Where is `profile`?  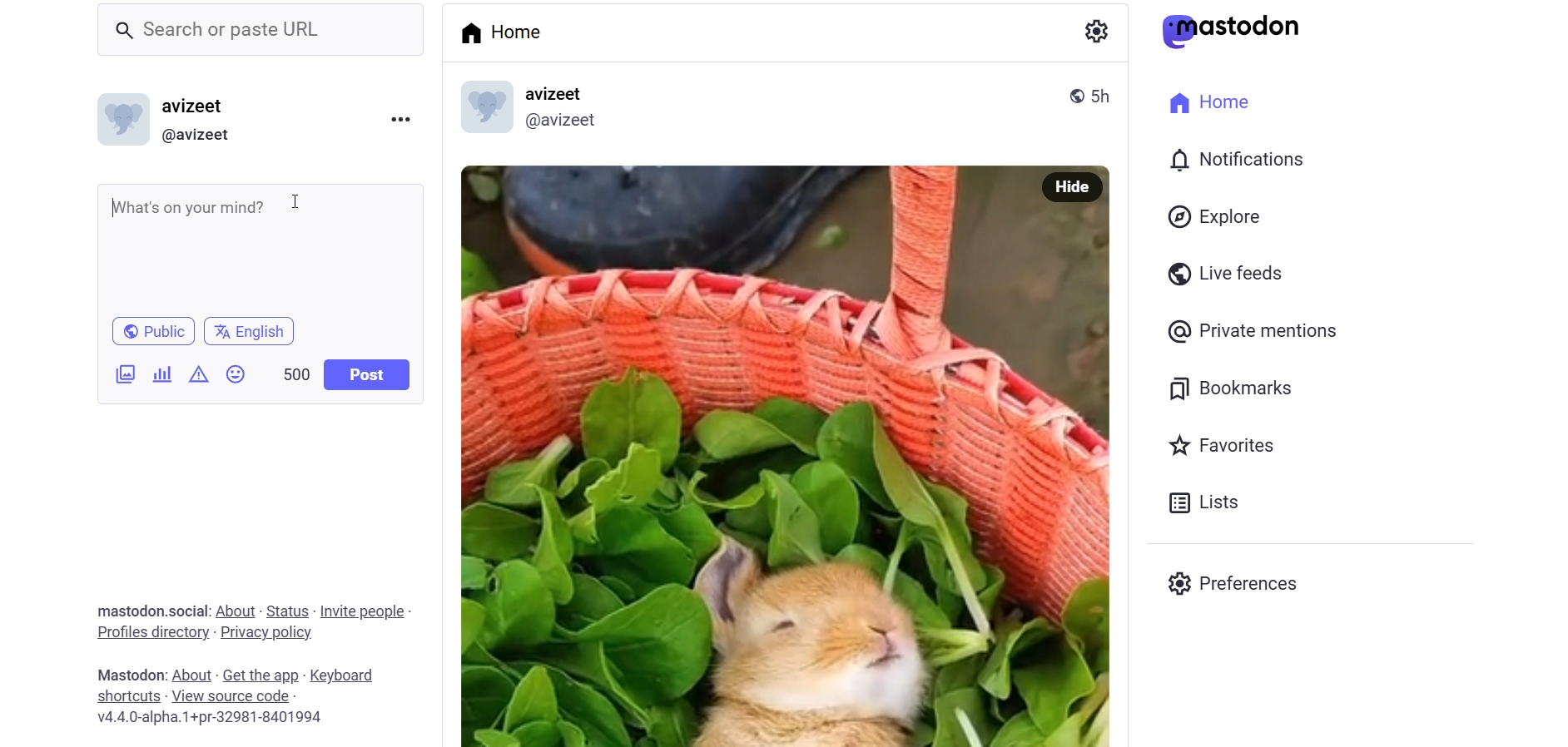
profile is located at coordinates (149, 632).